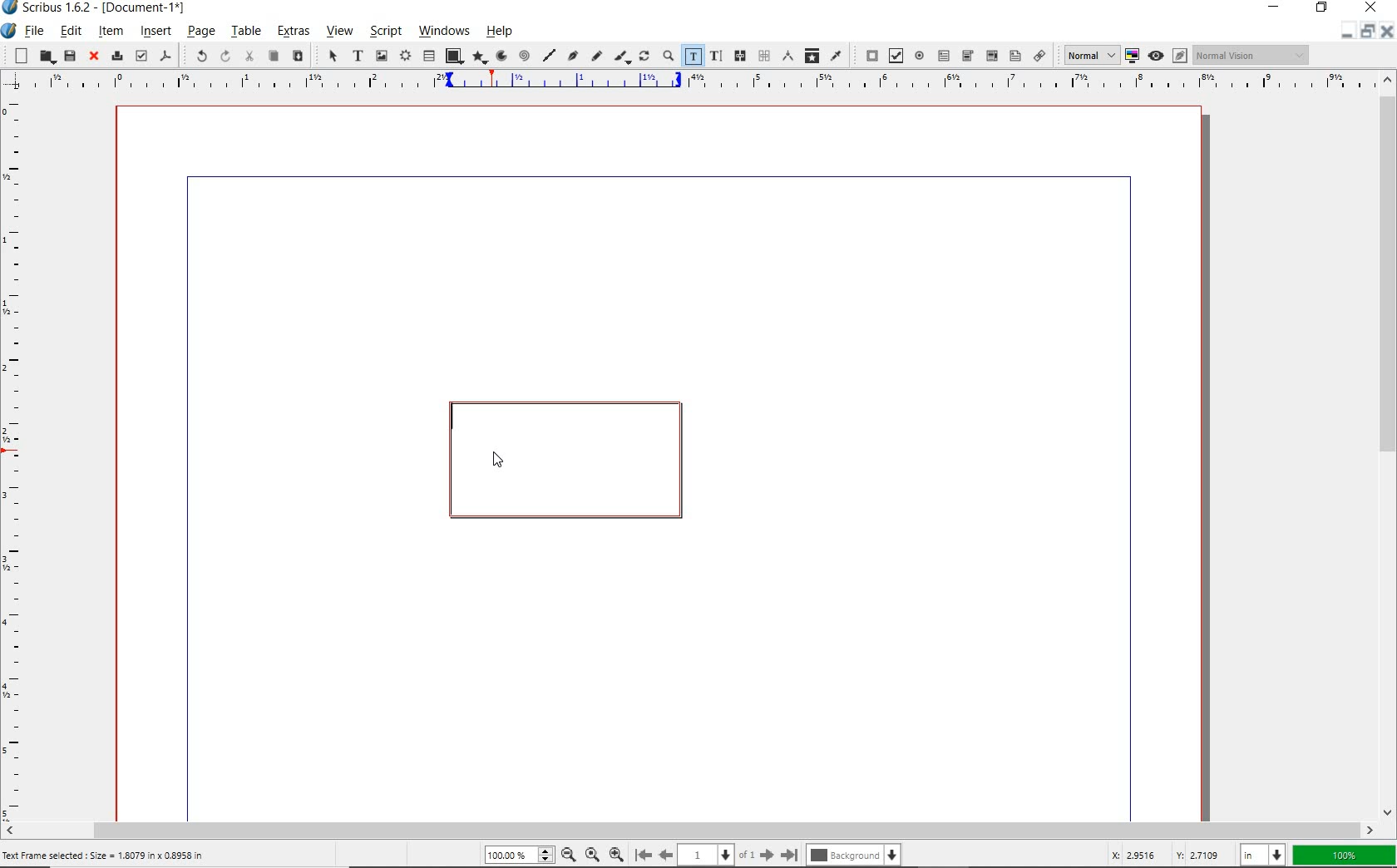 The image size is (1397, 868). What do you see at coordinates (572, 55) in the screenshot?
I see `Bezier curve` at bounding box center [572, 55].